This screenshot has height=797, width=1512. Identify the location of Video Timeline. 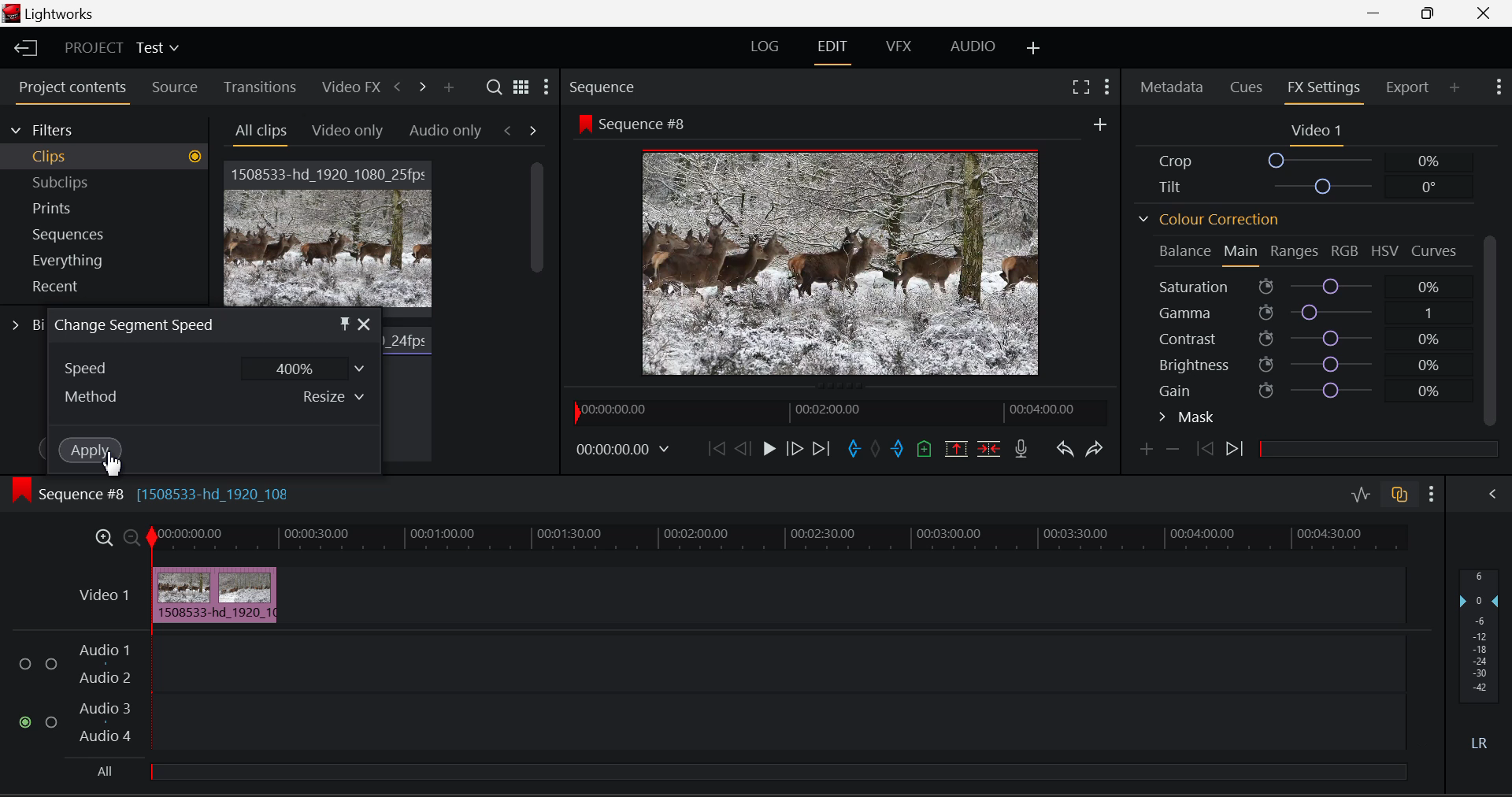
(98, 597).